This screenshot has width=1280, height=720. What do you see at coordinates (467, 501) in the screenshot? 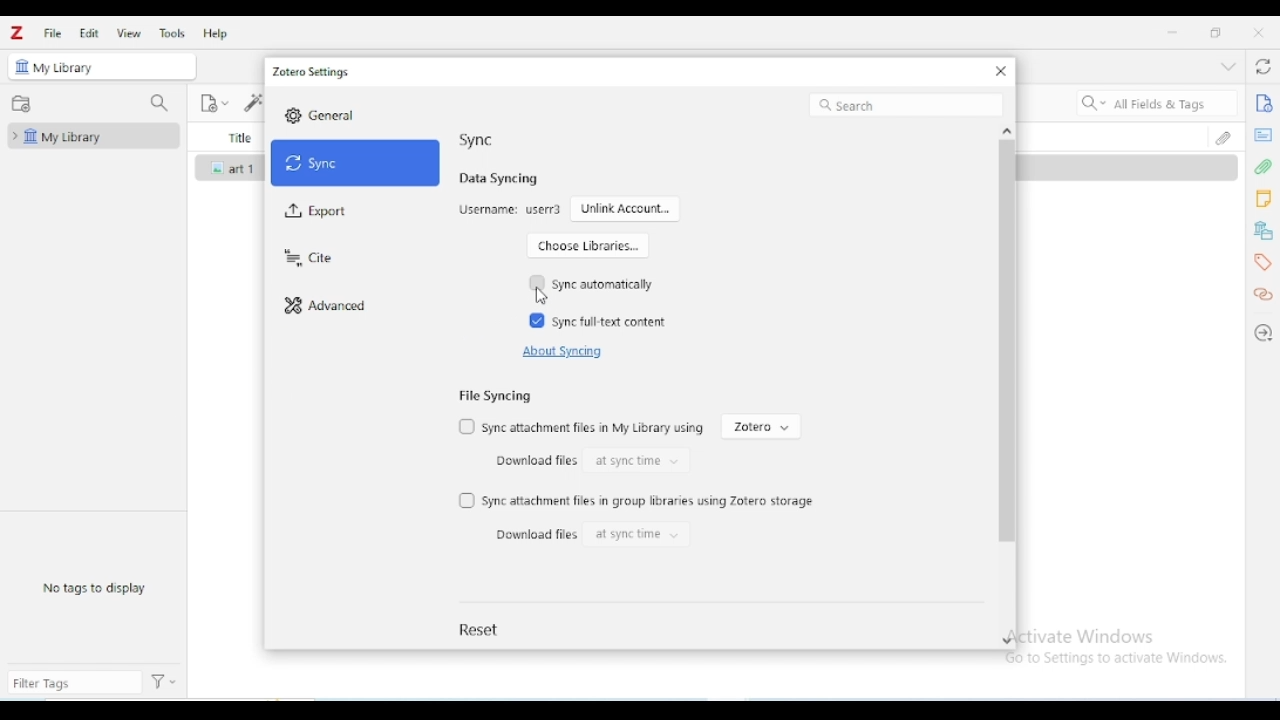
I see `Checkbox ` at bounding box center [467, 501].